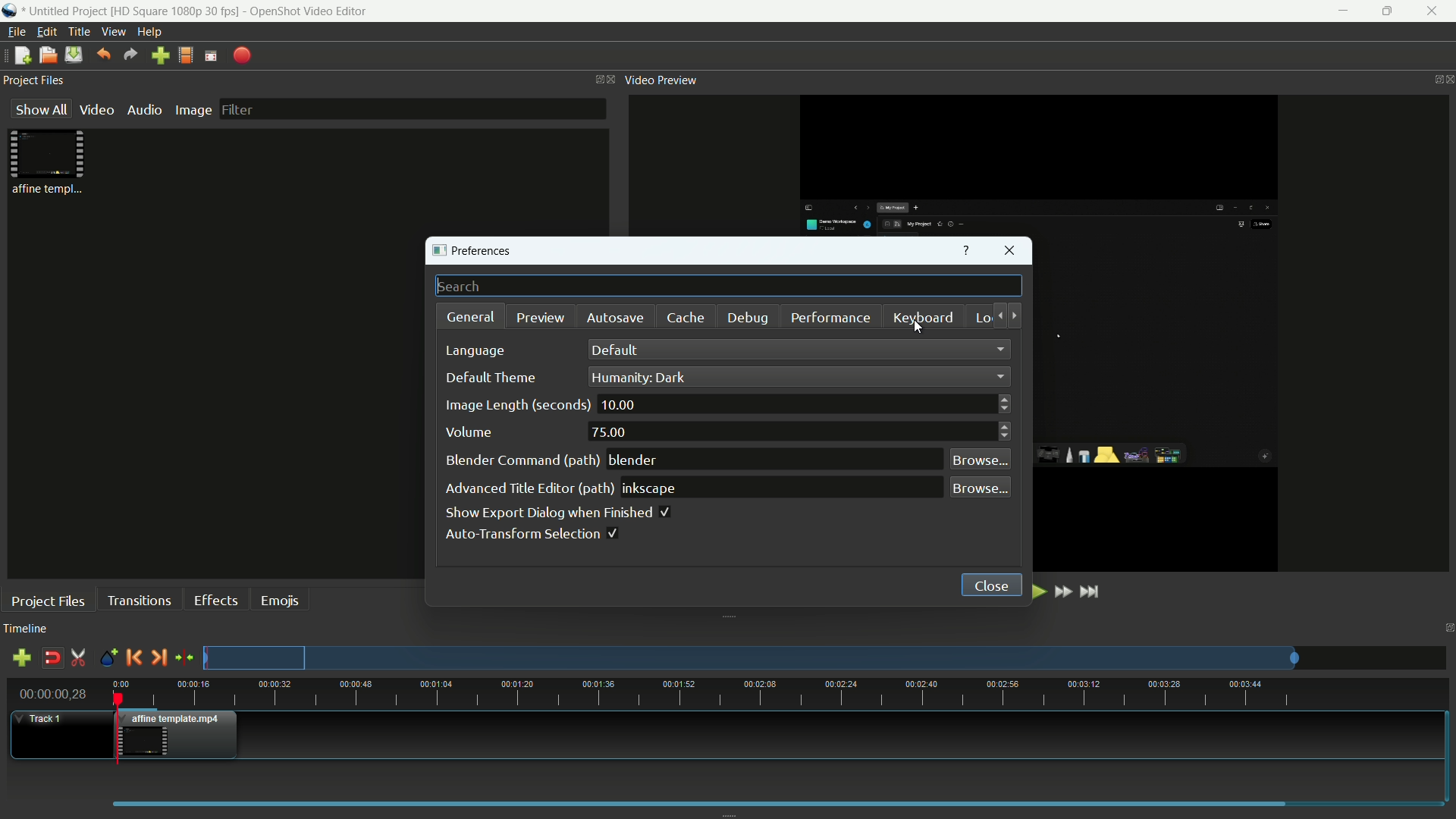  What do you see at coordinates (1339, 11) in the screenshot?
I see `minimize` at bounding box center [1339, 11].